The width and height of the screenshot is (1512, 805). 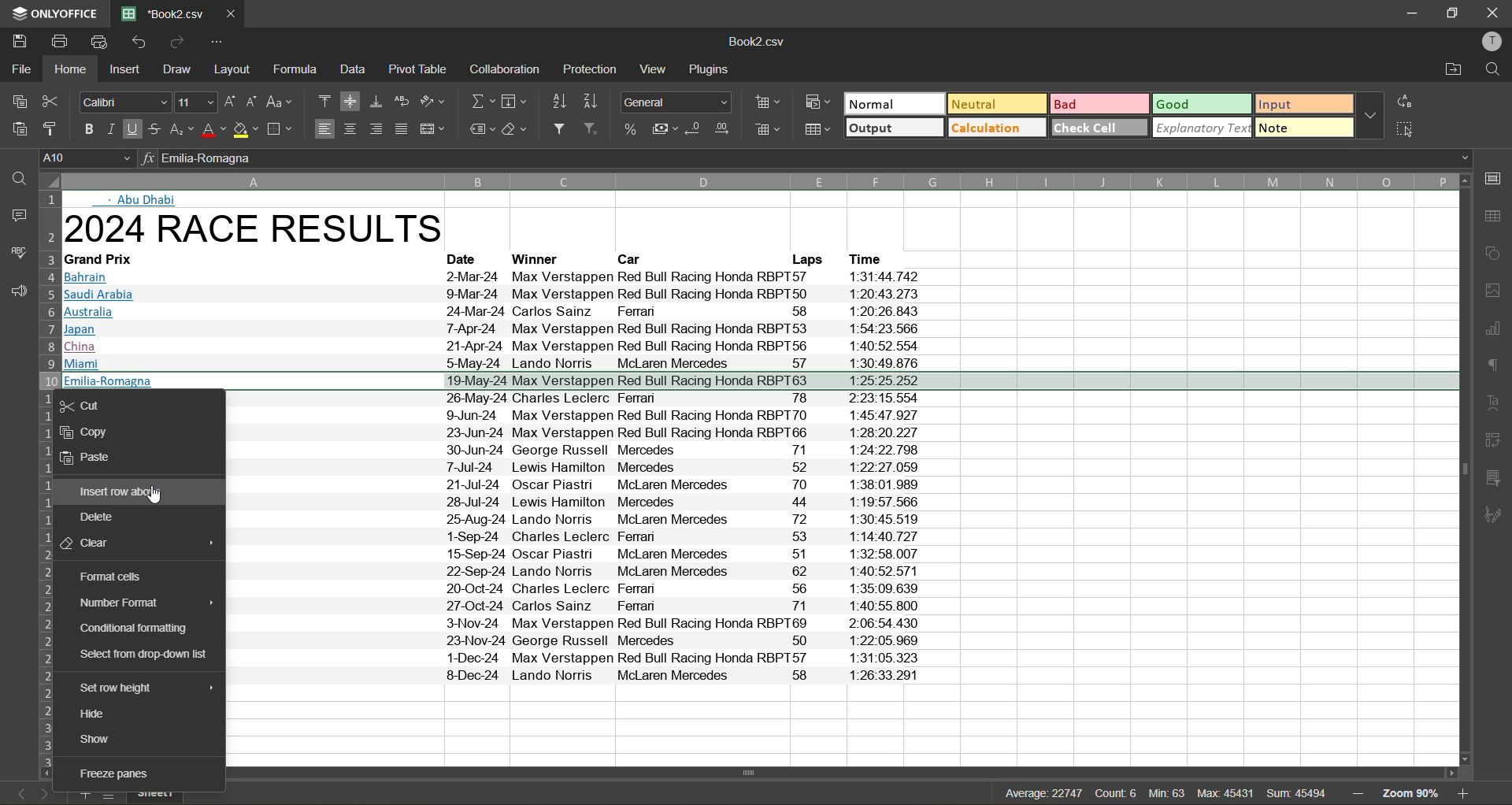 What do you see at coordinates (1497, 368) in the screenshot?
I see `paragraph` at bounding box center [1497, 368].